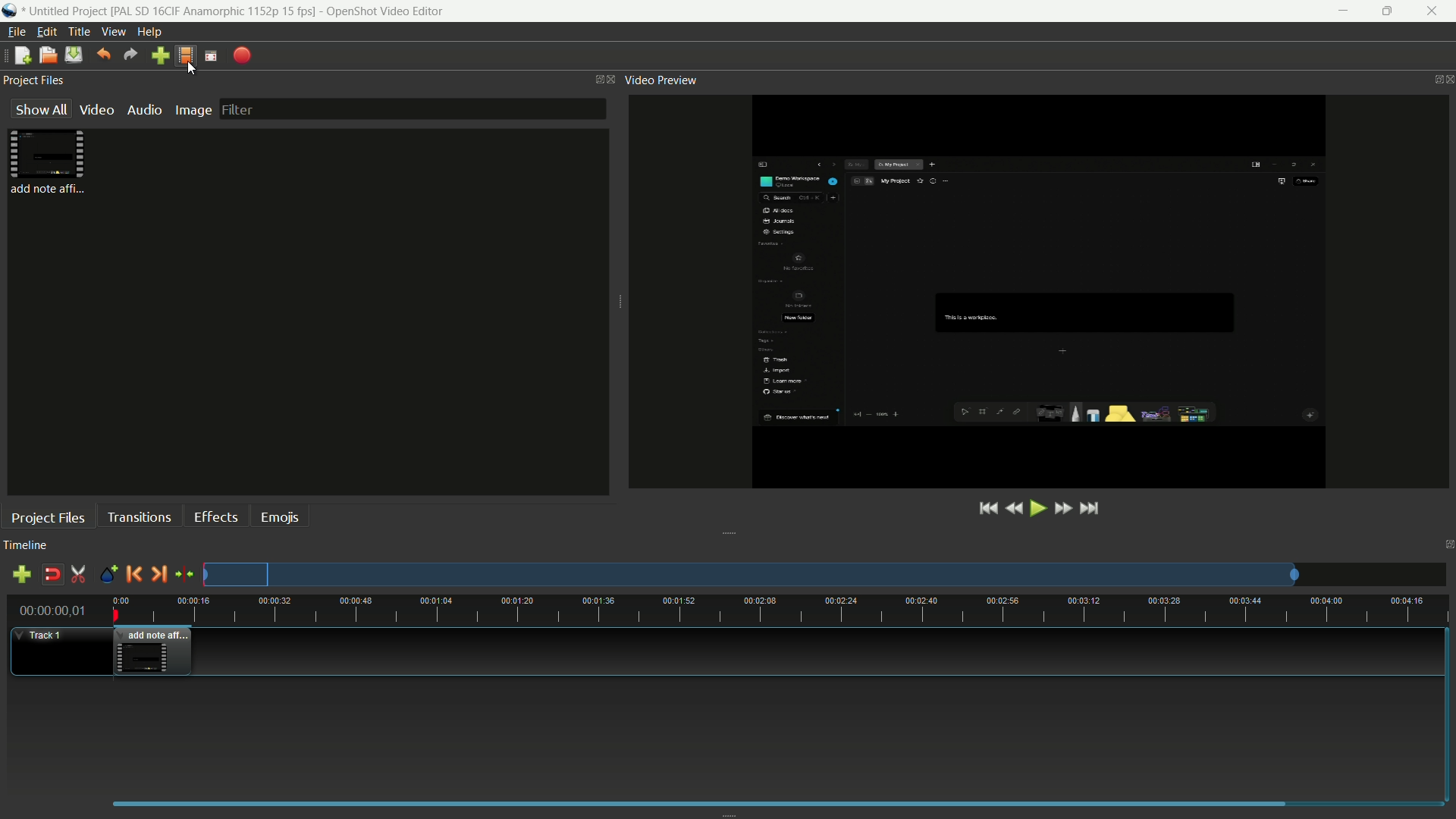  Describe the element at coordinates (388, 11) in the screenshot. I see `app name` at that location.